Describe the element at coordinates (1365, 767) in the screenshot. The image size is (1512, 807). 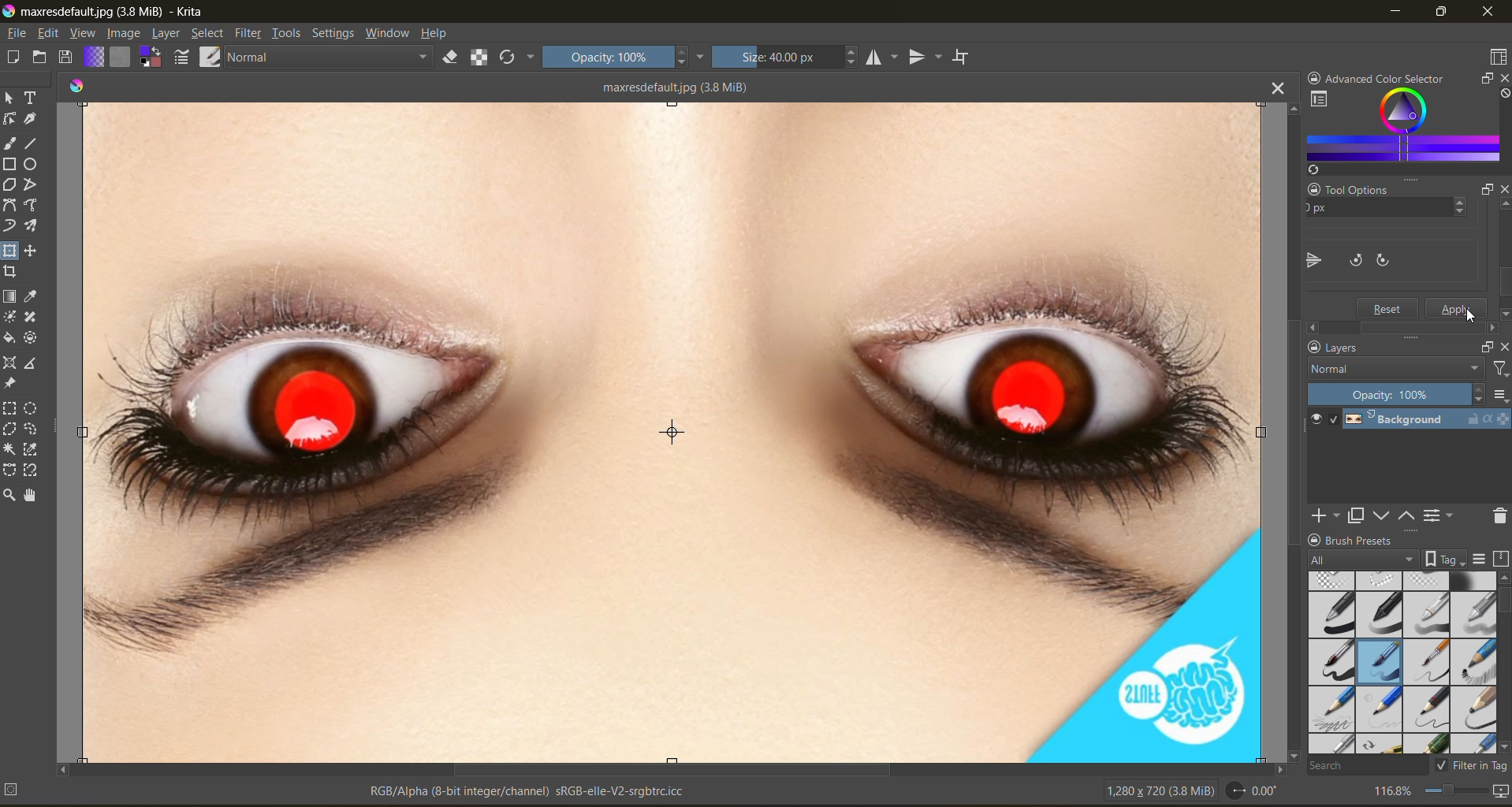
I see `search` at that location.